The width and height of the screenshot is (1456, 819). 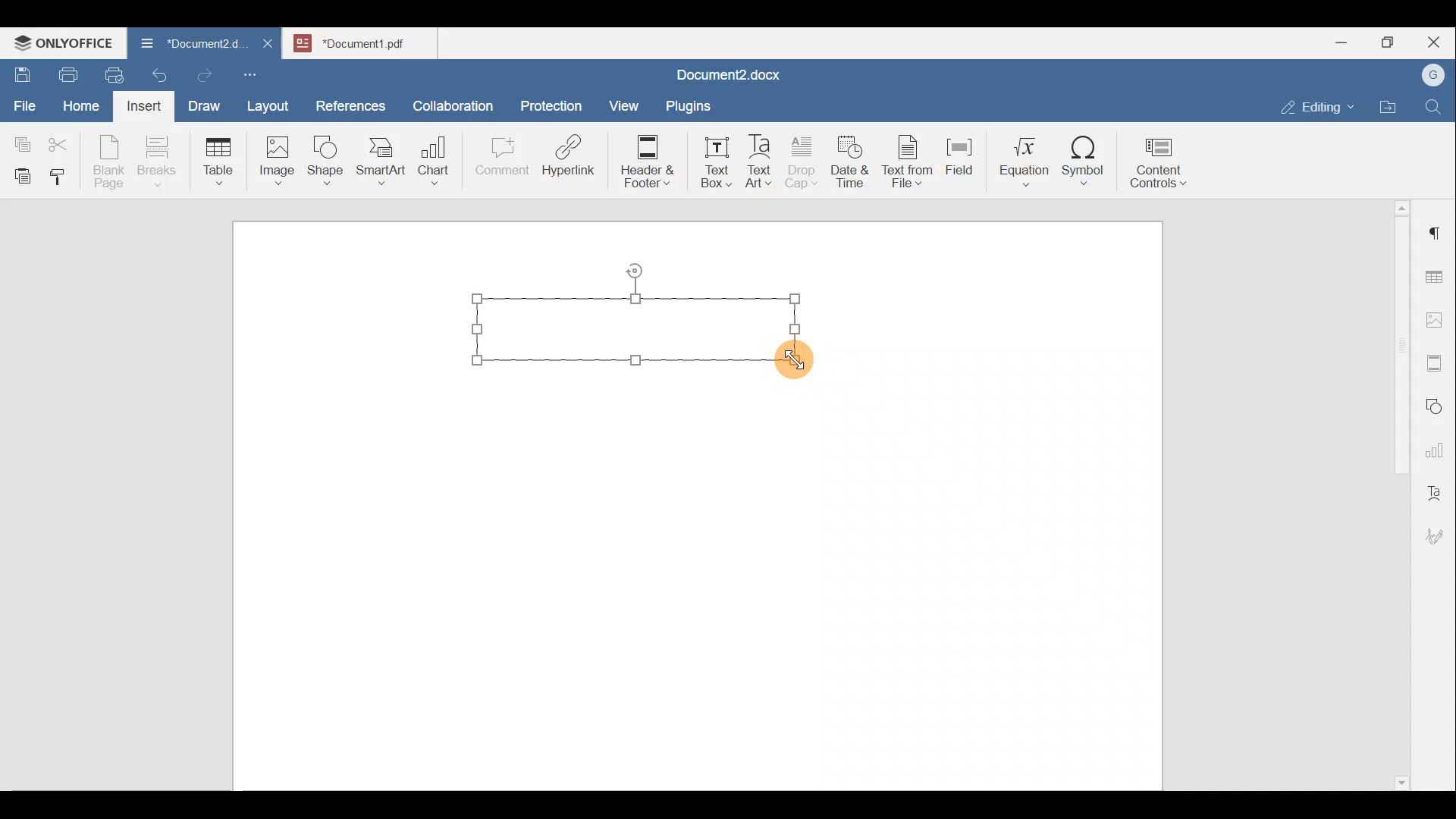 I want to click on View, so click(x=625, y=101).